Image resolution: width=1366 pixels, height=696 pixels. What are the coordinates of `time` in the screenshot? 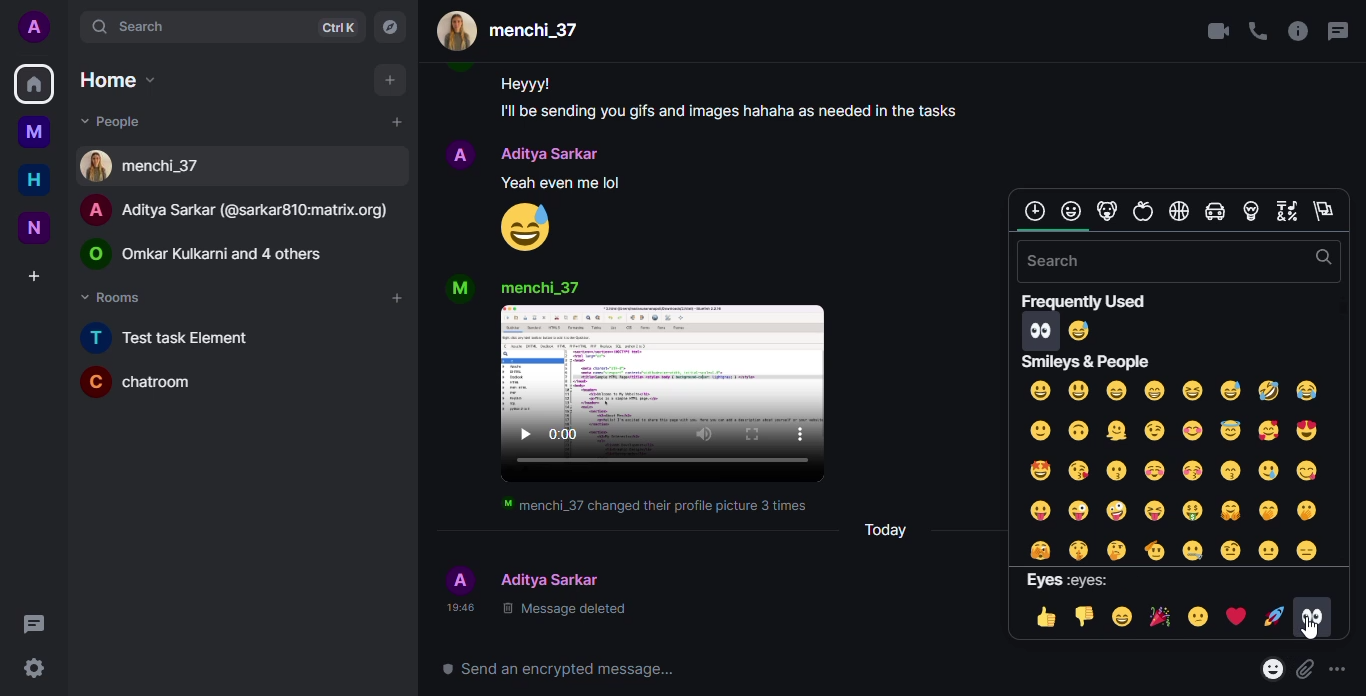 It's located at (455, 608).